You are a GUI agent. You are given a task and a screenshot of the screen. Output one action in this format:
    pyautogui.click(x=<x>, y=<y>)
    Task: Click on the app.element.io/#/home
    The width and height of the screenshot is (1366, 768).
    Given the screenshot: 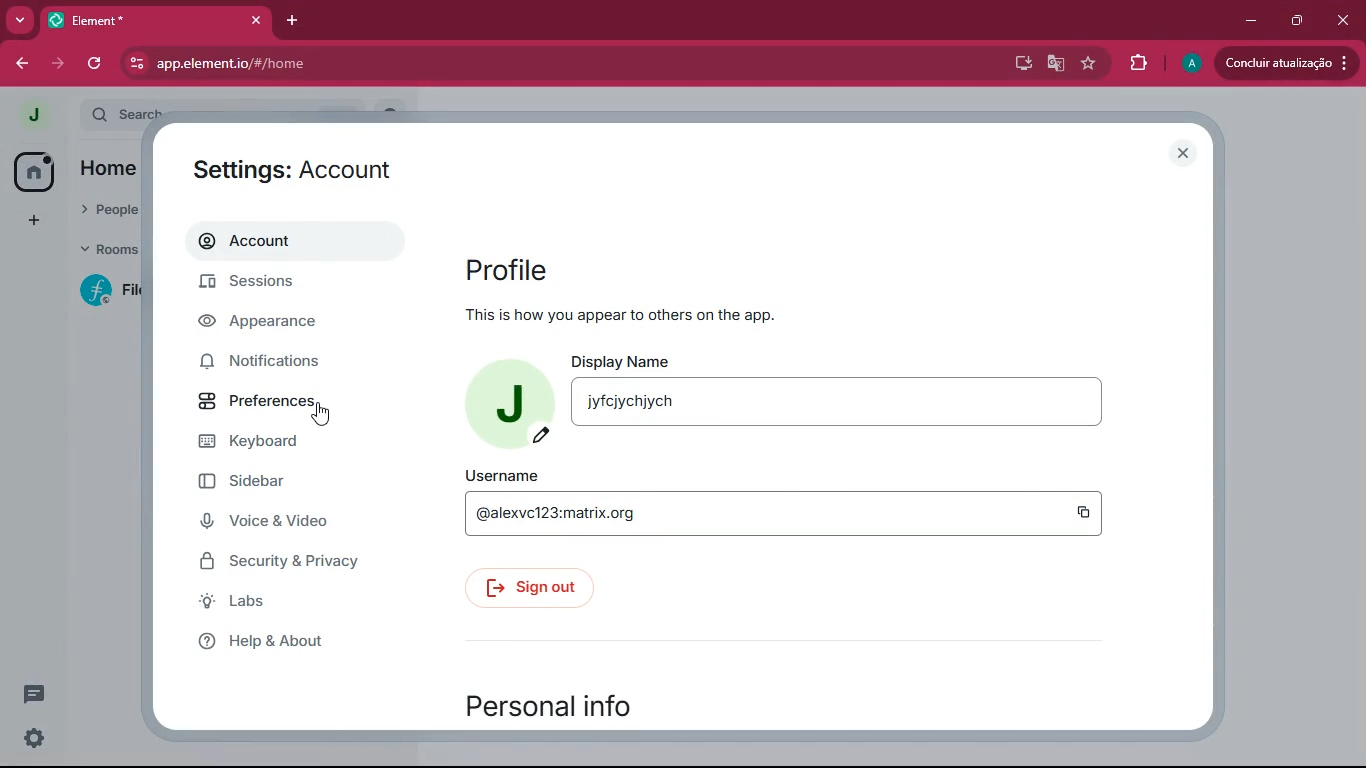 What is the action you would take?
    pyautogui.click(x=349, y=64)
    